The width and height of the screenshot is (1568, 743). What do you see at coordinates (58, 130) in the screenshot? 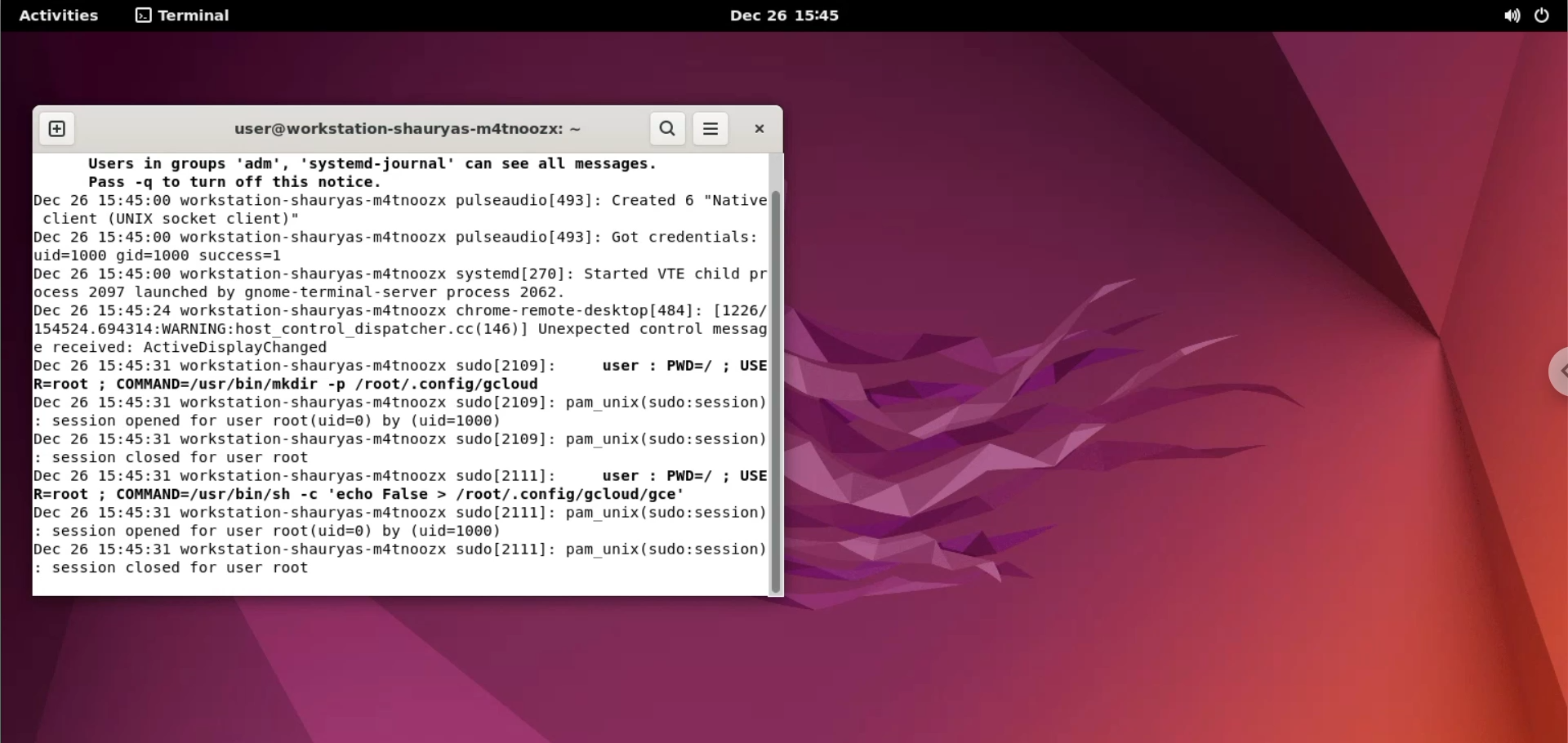
I see `new tab` at bounding box center [58, 130].